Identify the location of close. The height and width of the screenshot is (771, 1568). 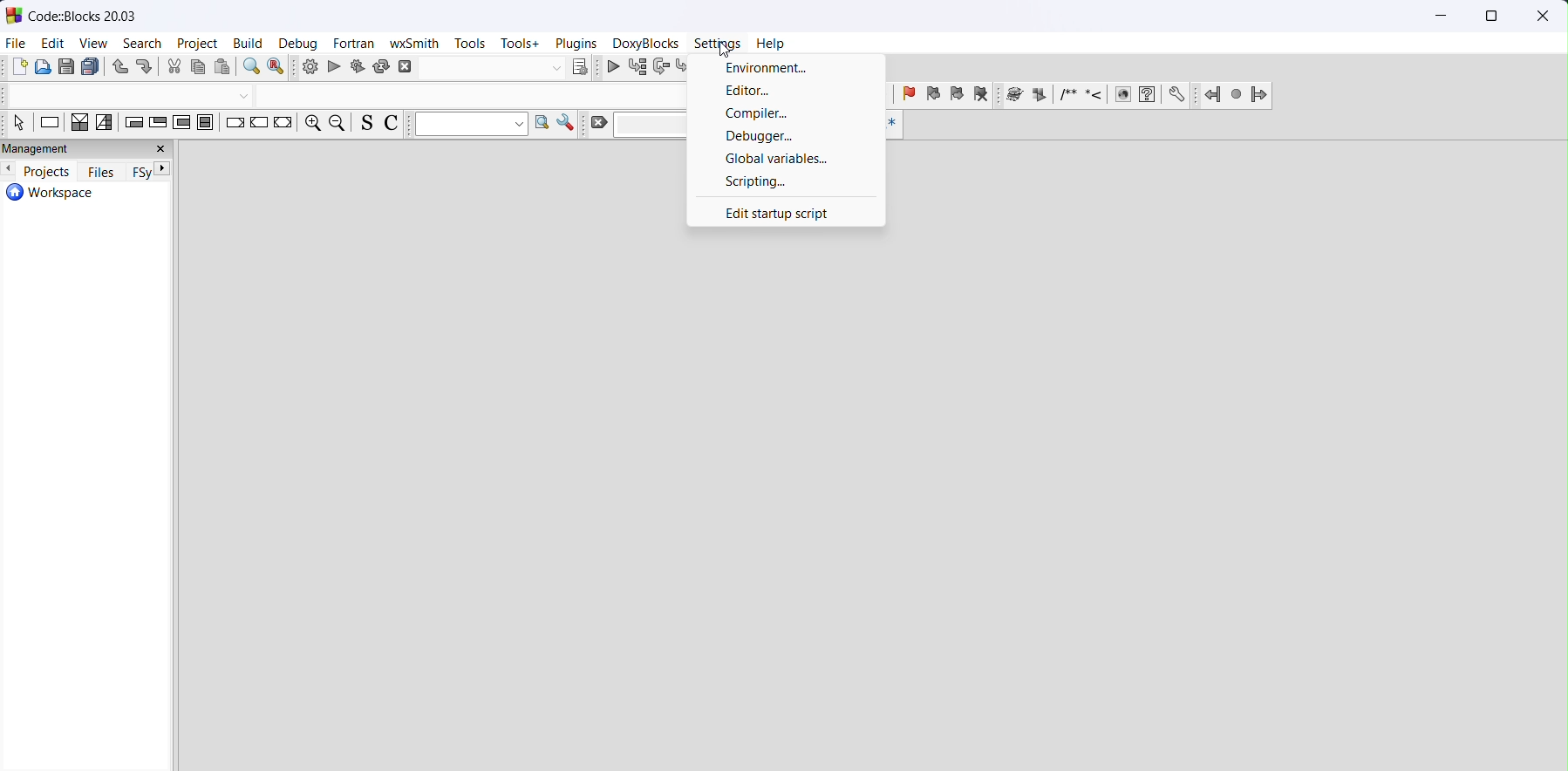
(1540, 17).